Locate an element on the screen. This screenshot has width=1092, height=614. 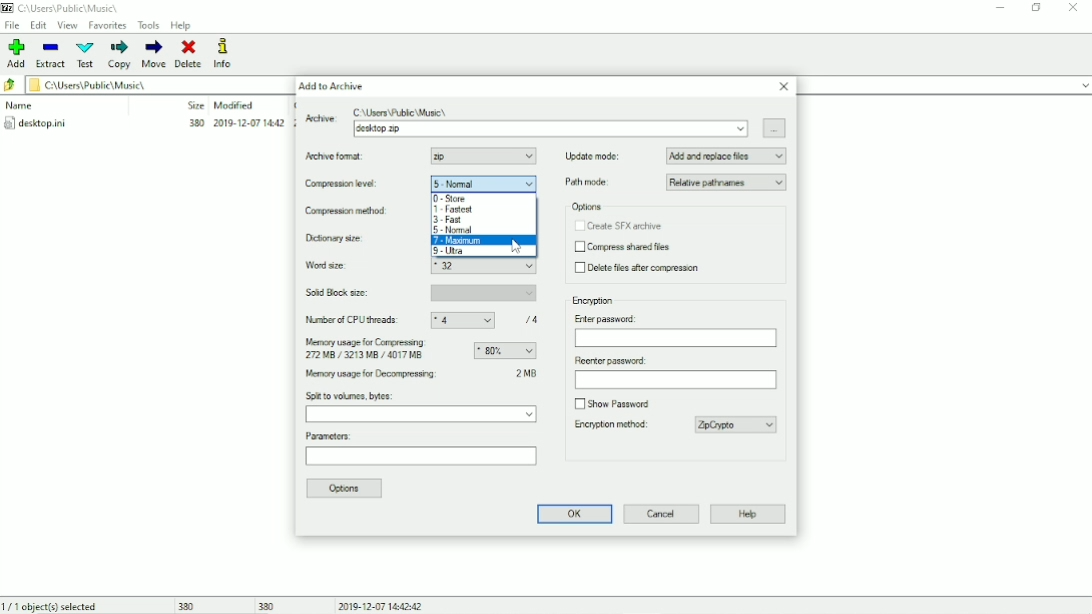
Tools is located at coordinates (149, 25).